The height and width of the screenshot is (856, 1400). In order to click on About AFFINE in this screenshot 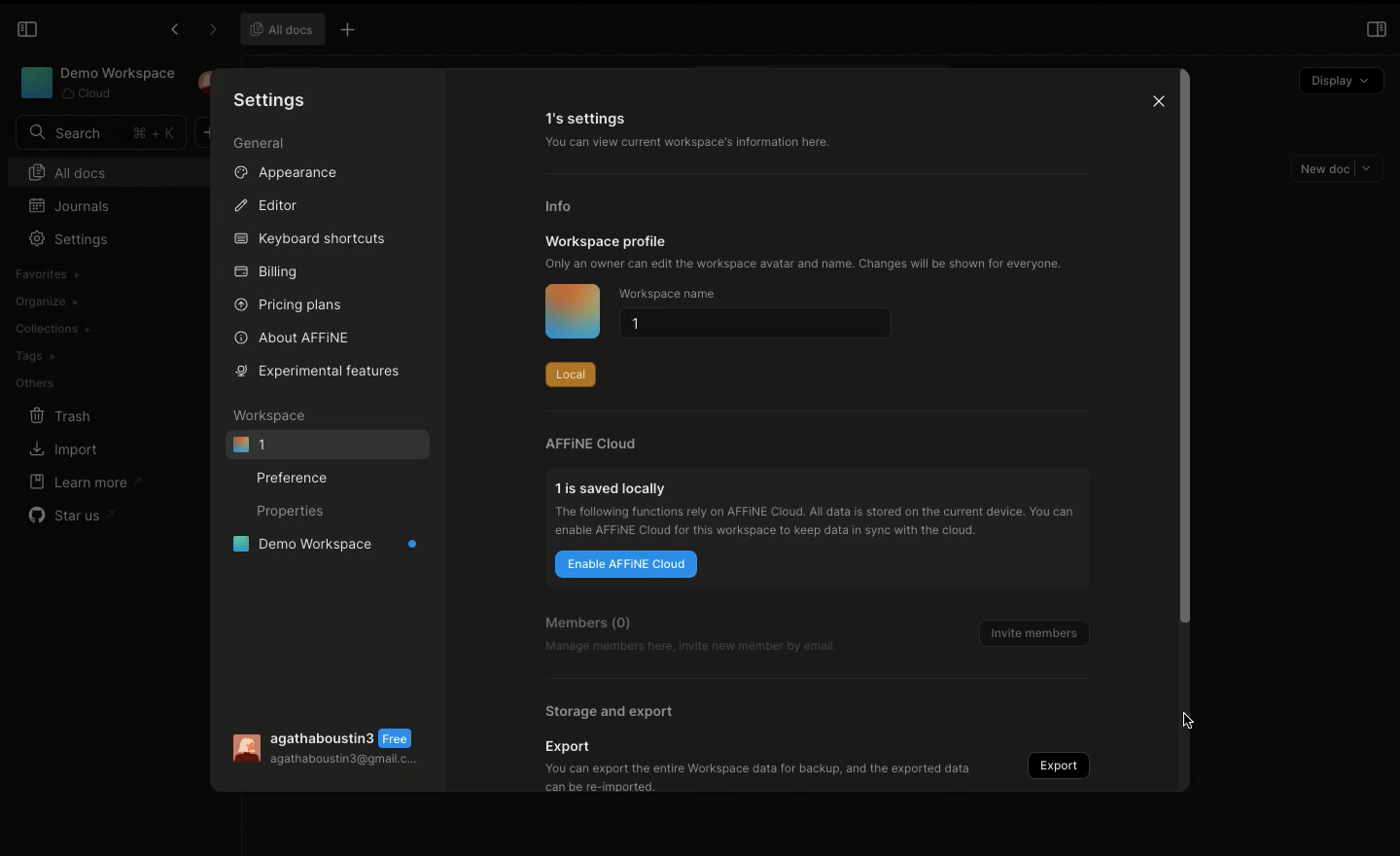, I will do `click(294, 337)`.